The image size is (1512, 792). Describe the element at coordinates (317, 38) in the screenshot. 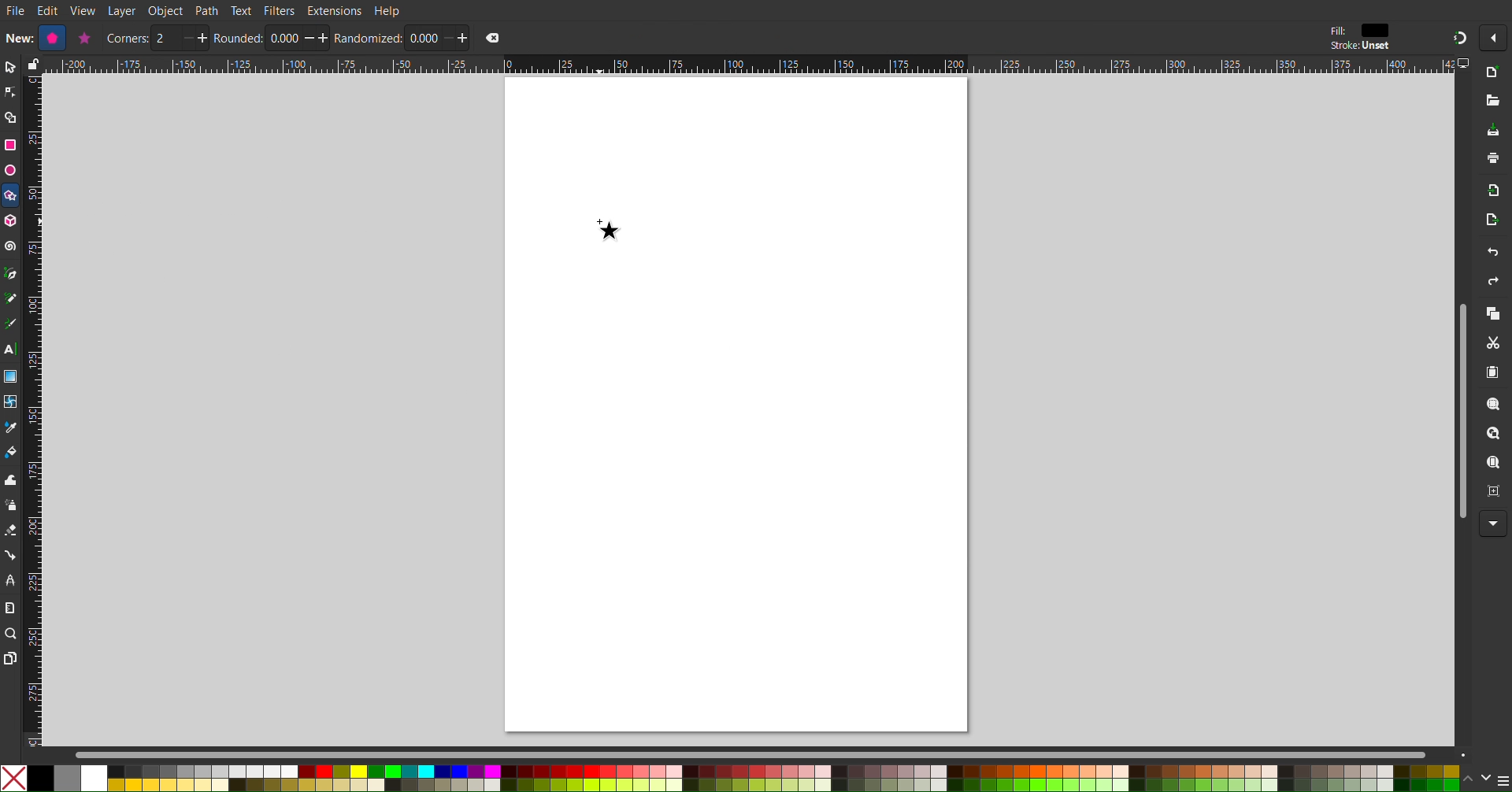

I see `increase/decrease` at that location.